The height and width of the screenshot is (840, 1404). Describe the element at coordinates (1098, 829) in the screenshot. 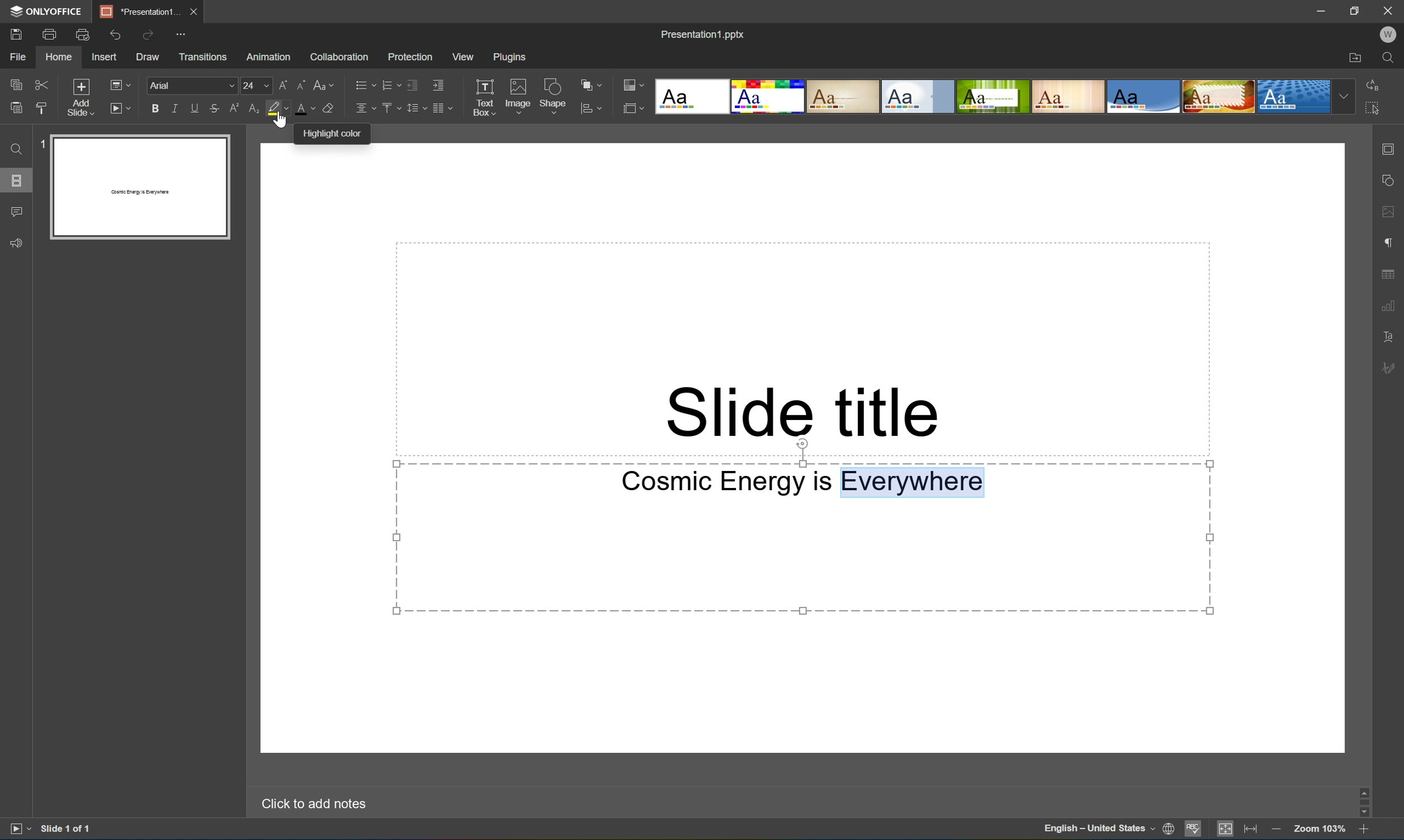

I see `English - United States` at that location.